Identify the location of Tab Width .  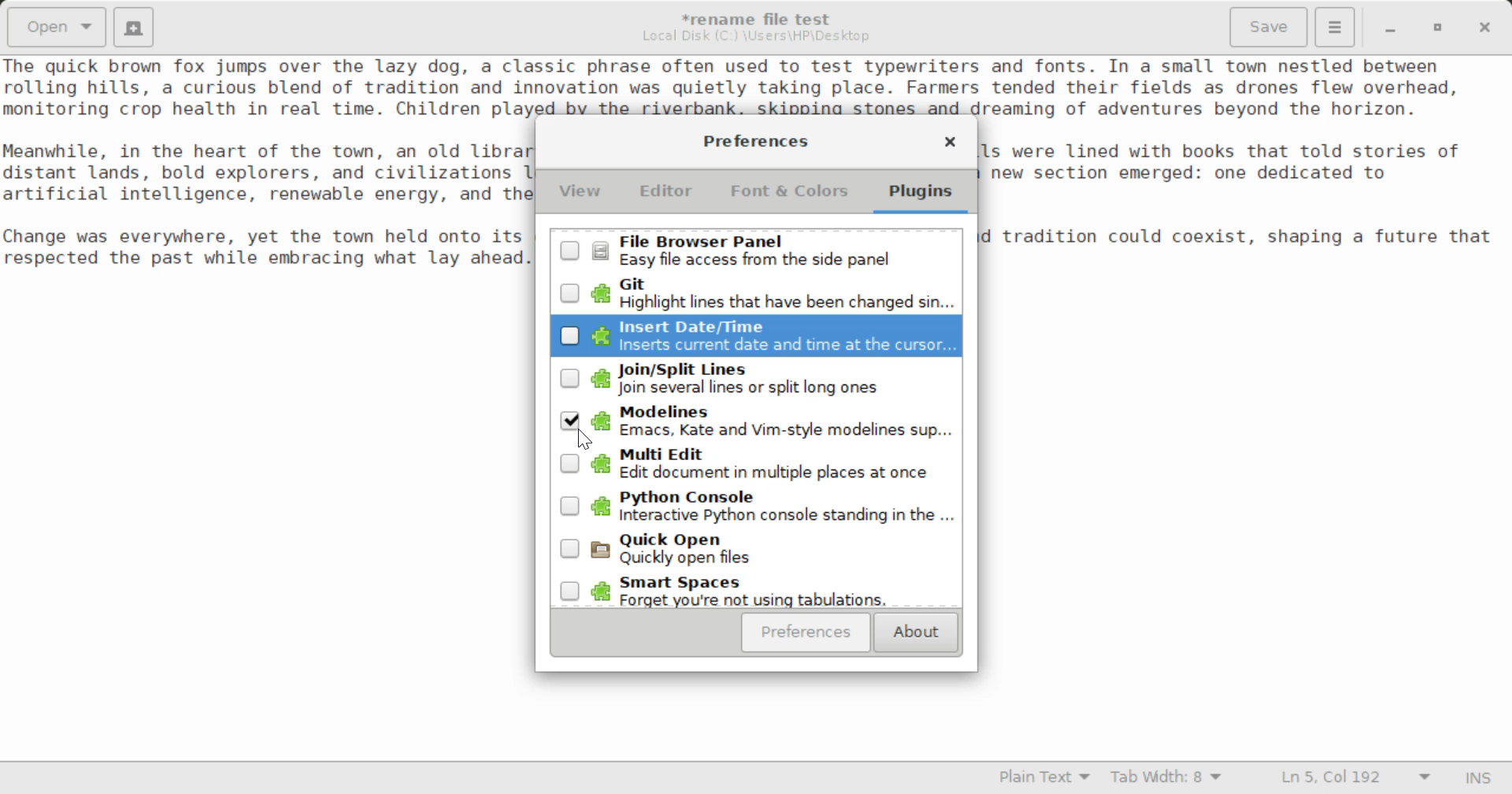
(1169, 779).